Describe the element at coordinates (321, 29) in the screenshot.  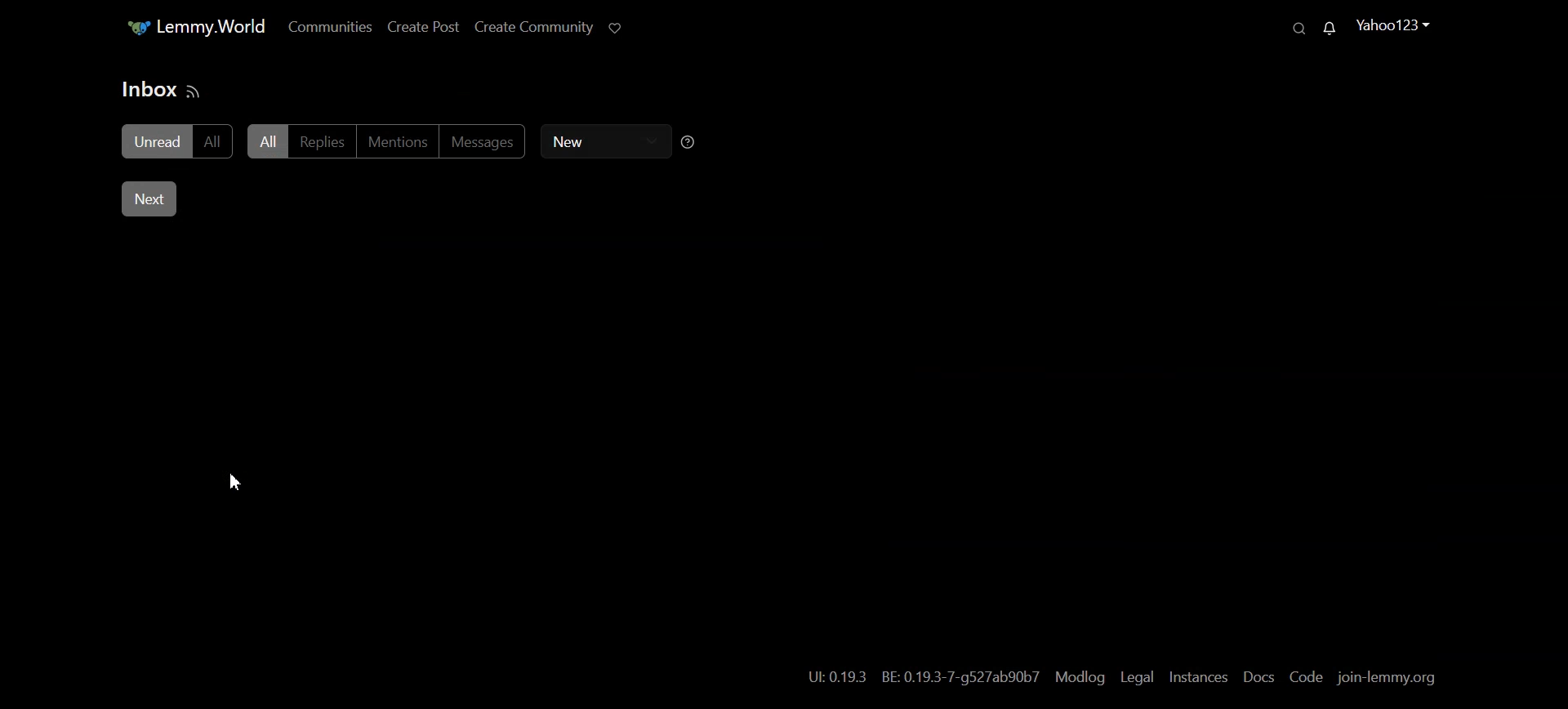
I see `Communities` at that location.